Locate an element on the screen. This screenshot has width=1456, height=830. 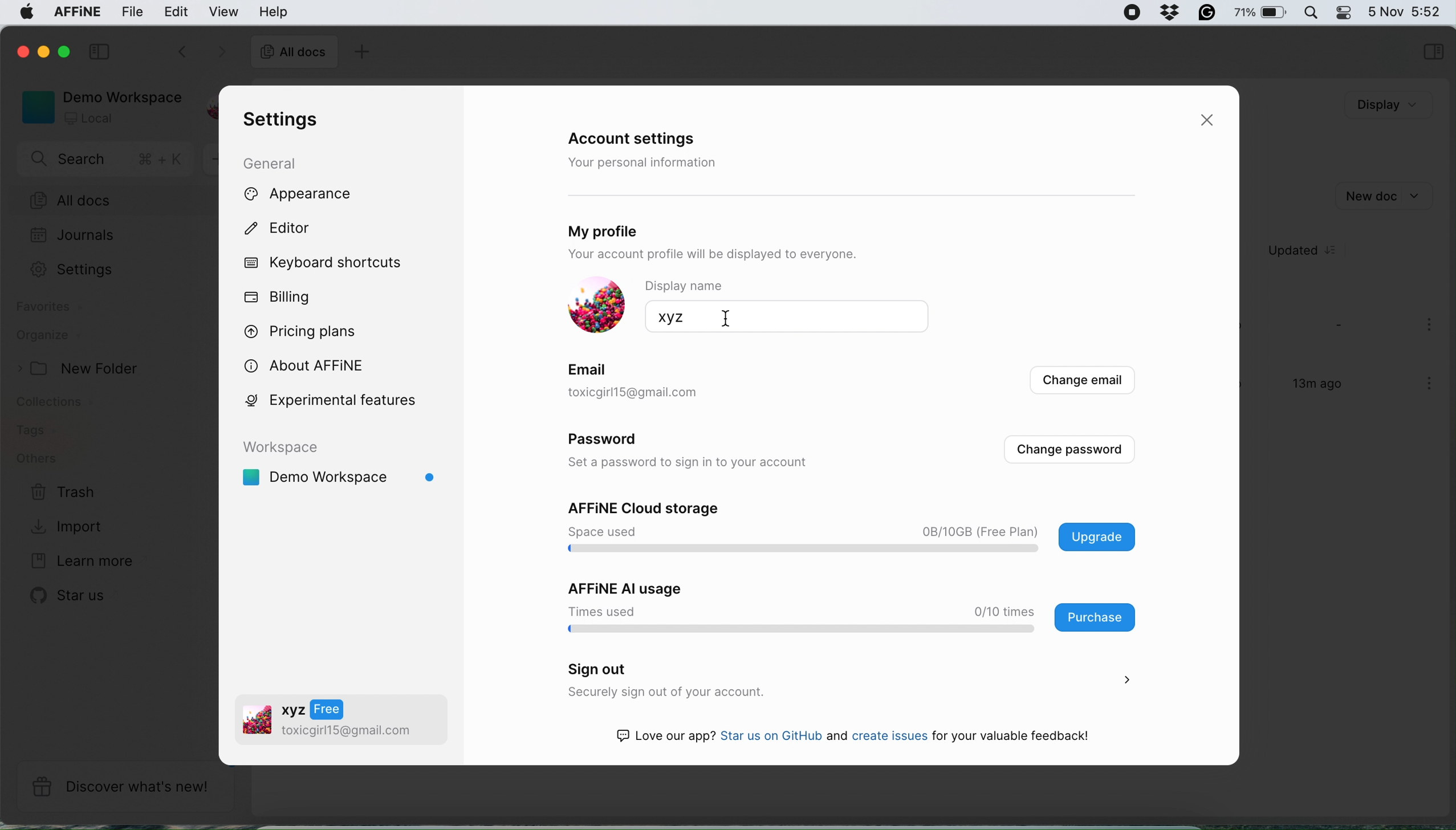
13m ago is located at coordinates (1309, 389).